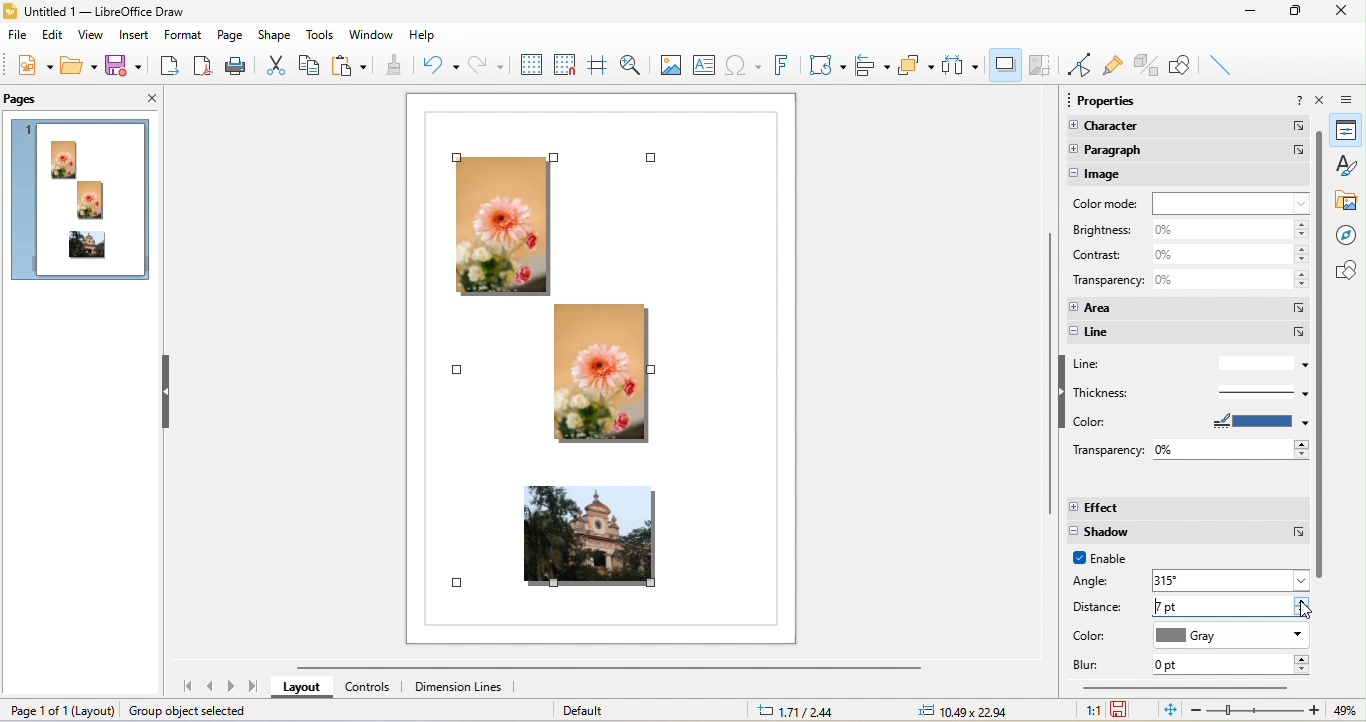 Image resolution: width=1366 pixels, height=722 pixels. What do you see at coordinates (169, 391) in the screenshot?
I see `hide` at bounding box center [169, 391].